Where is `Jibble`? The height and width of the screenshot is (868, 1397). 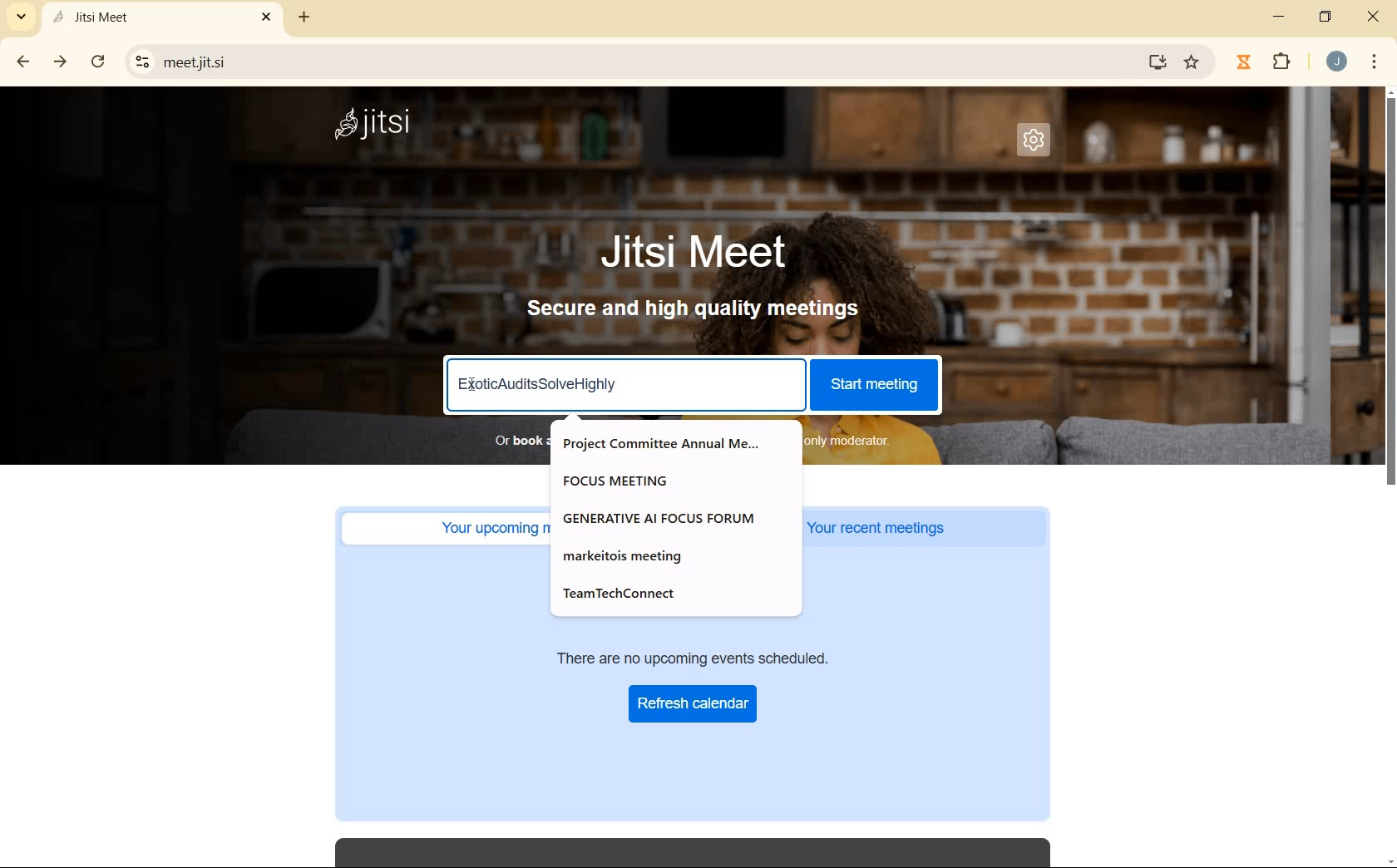 Jibble is located at coordinates (1243, 62).